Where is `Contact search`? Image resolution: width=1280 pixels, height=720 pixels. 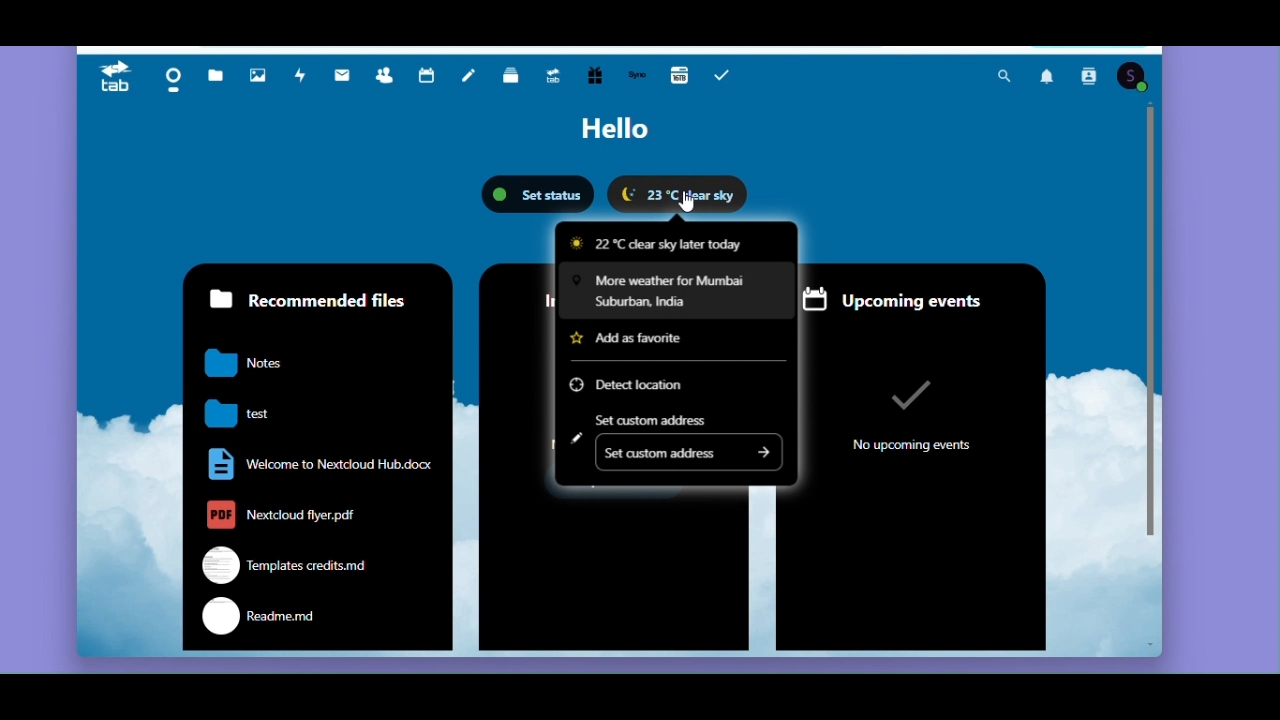 Contact search is located at coordinates (1090, 76).